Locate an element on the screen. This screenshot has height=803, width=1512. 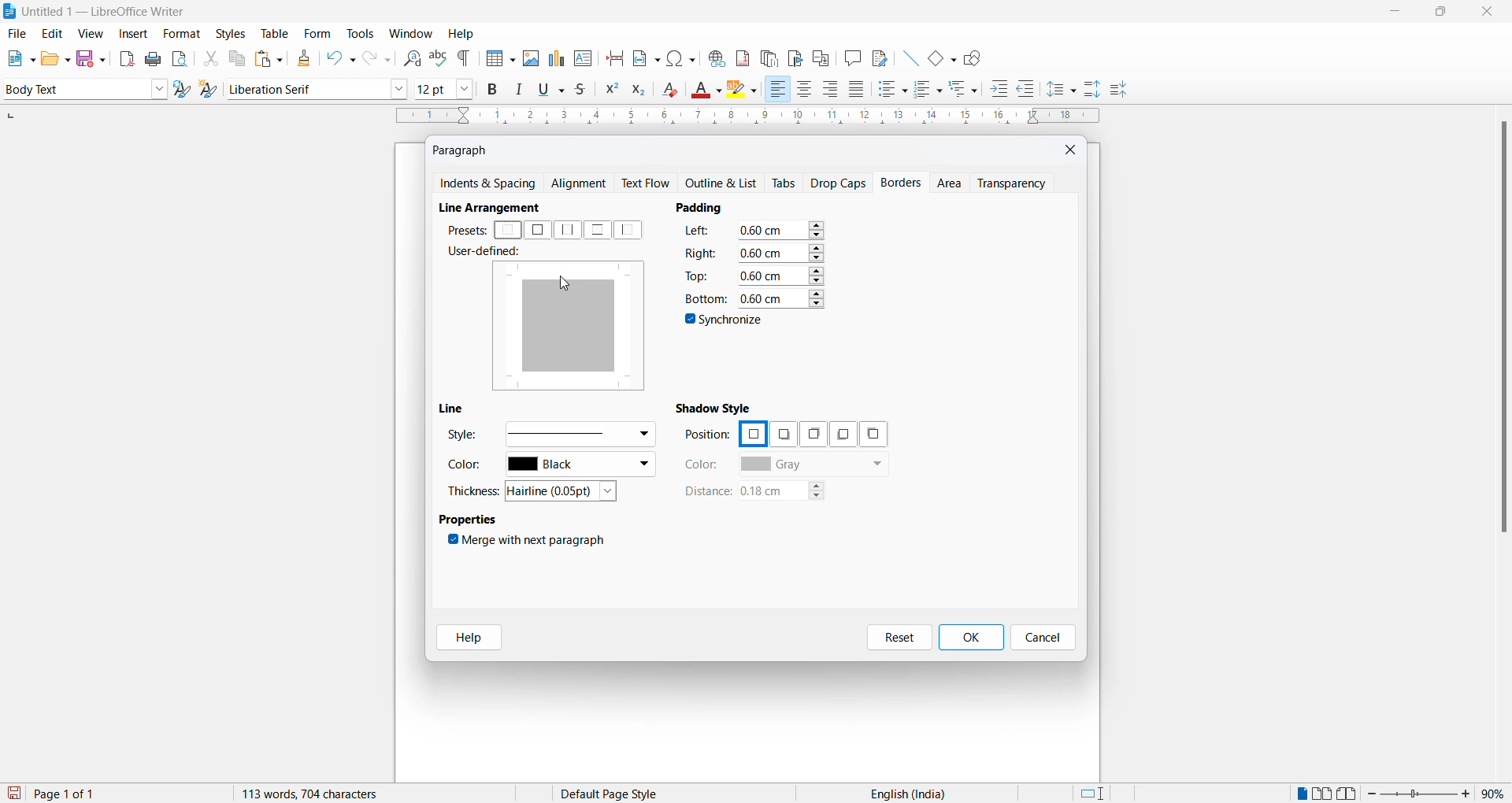
right is located at coordinates (701, 252).